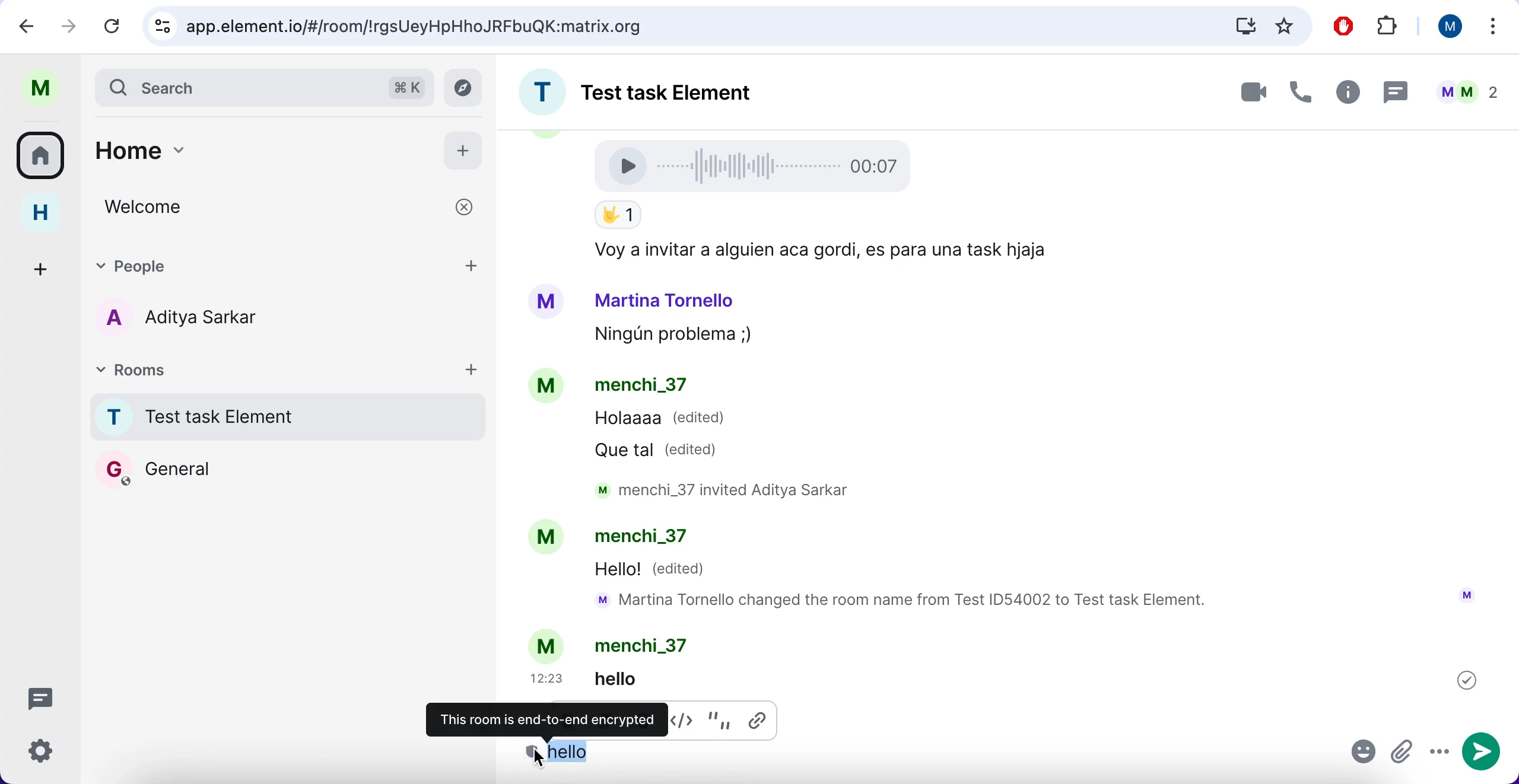  What do you see at coordinates (1345, 94) in the screenshot?
I see `room info` at bounding box center [1345, 94].